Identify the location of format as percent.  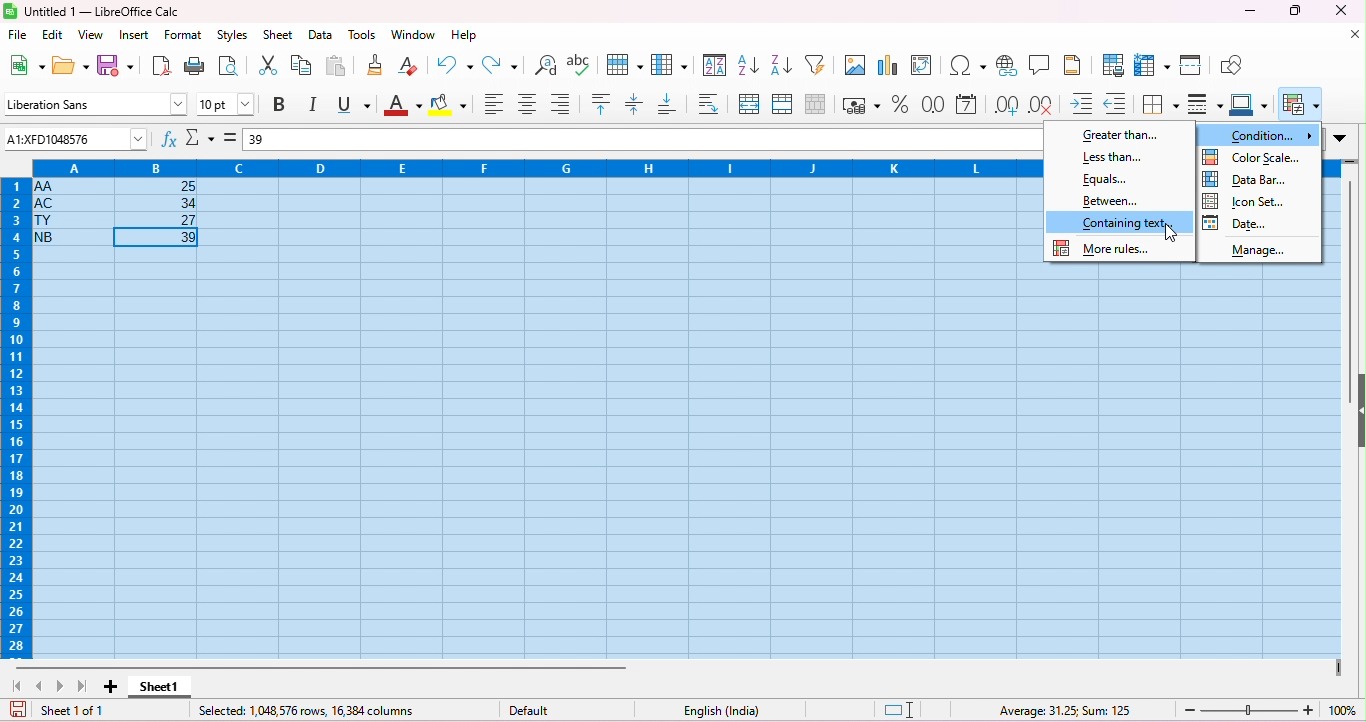
(900, 103).